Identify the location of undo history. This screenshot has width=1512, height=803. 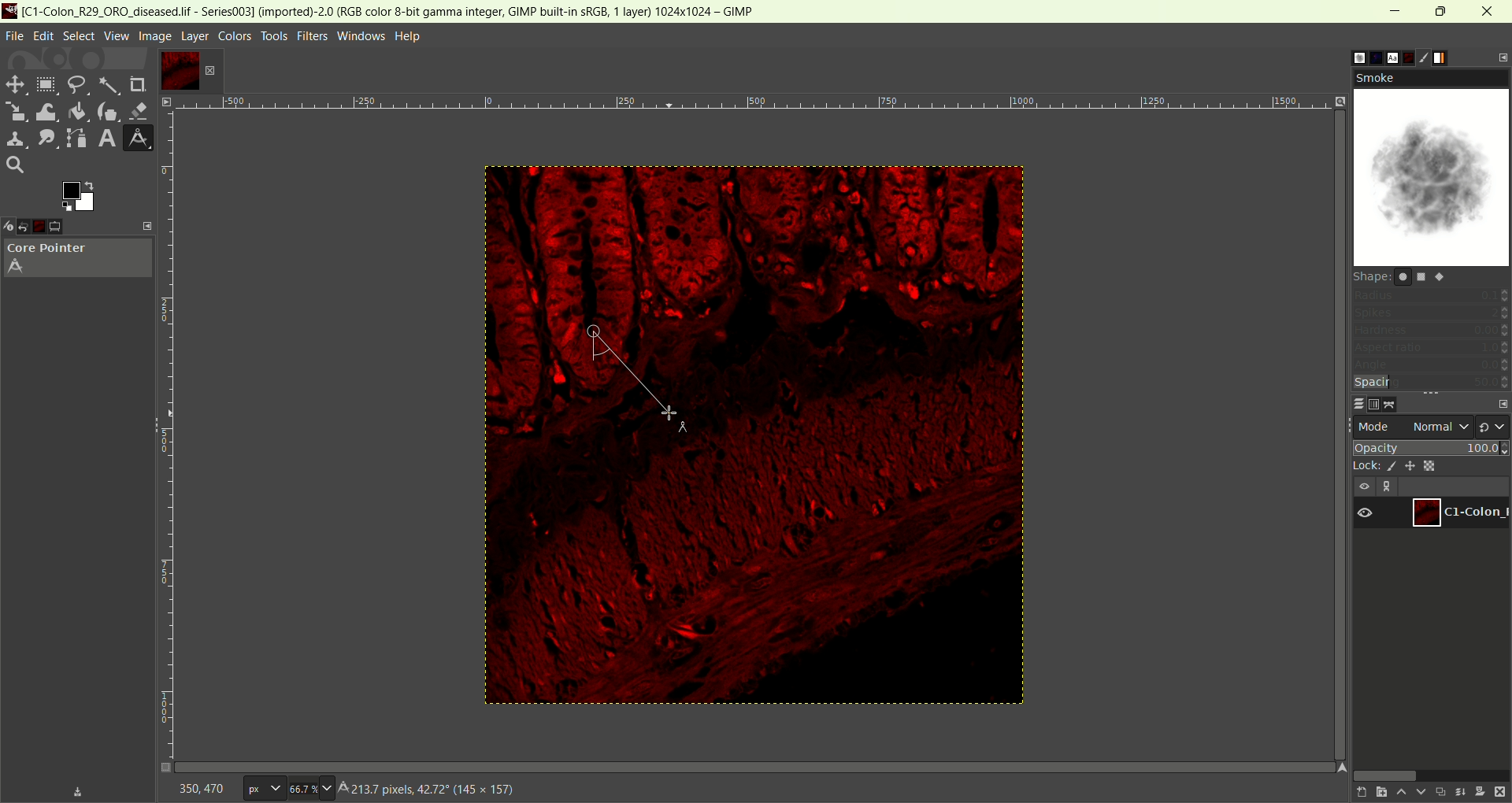
(29, 228).